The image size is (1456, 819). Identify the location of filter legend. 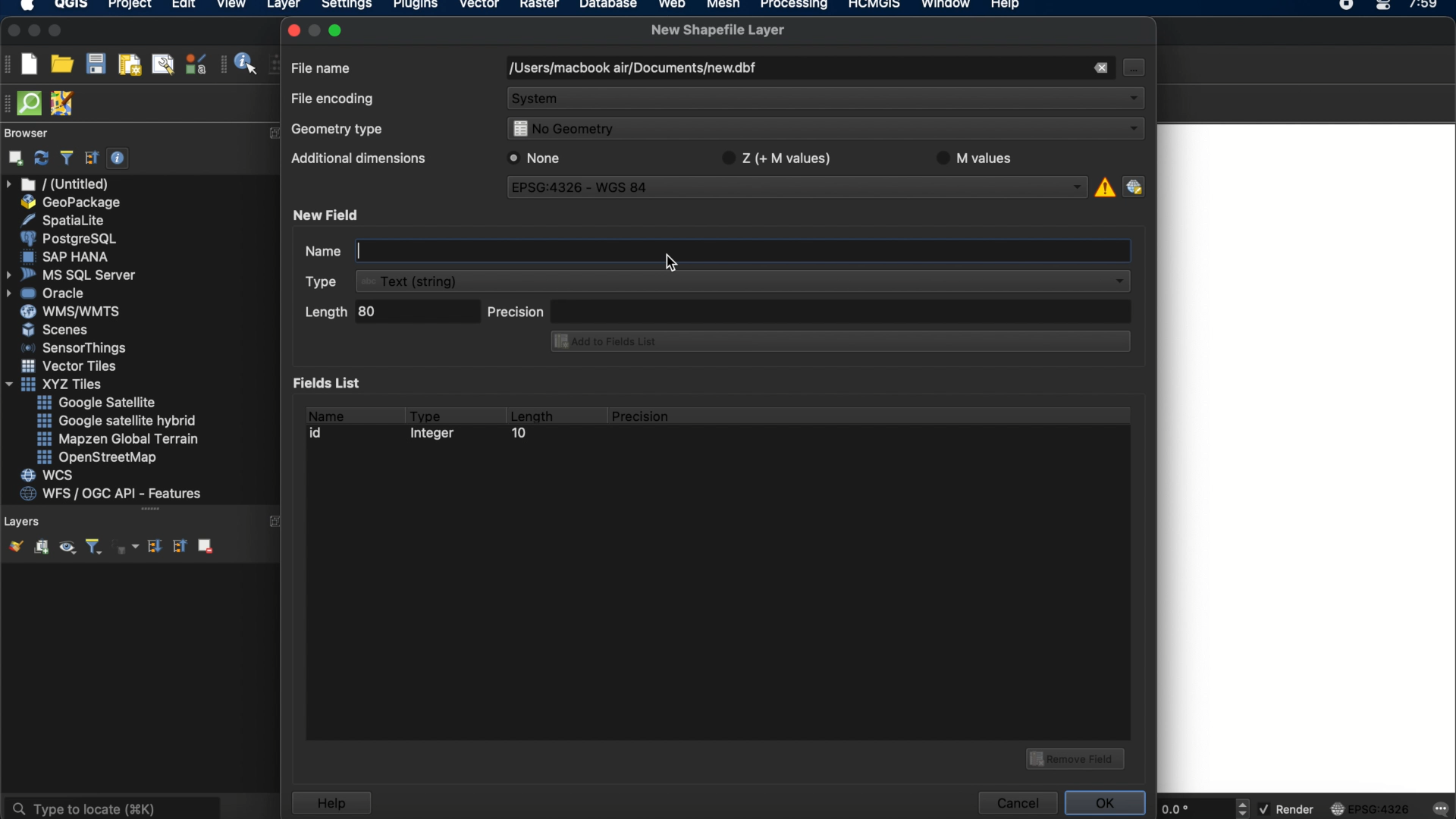
(93, 548).